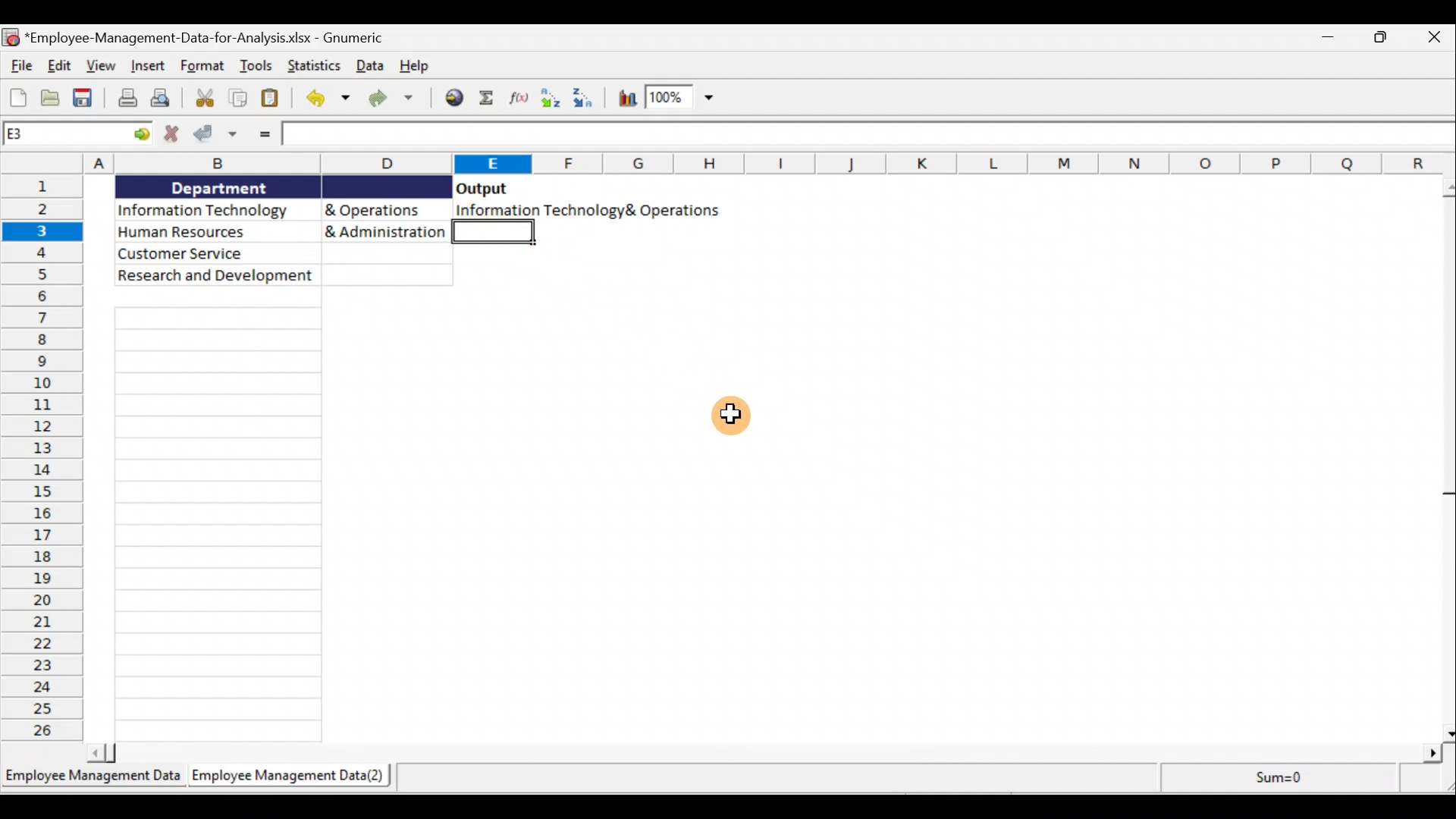 This screenshot has width=1456, height=819. What do you see at coordinates (17, 96) in the screenshot?
I see `Create a new workbook` at bounding box center [17, 96].